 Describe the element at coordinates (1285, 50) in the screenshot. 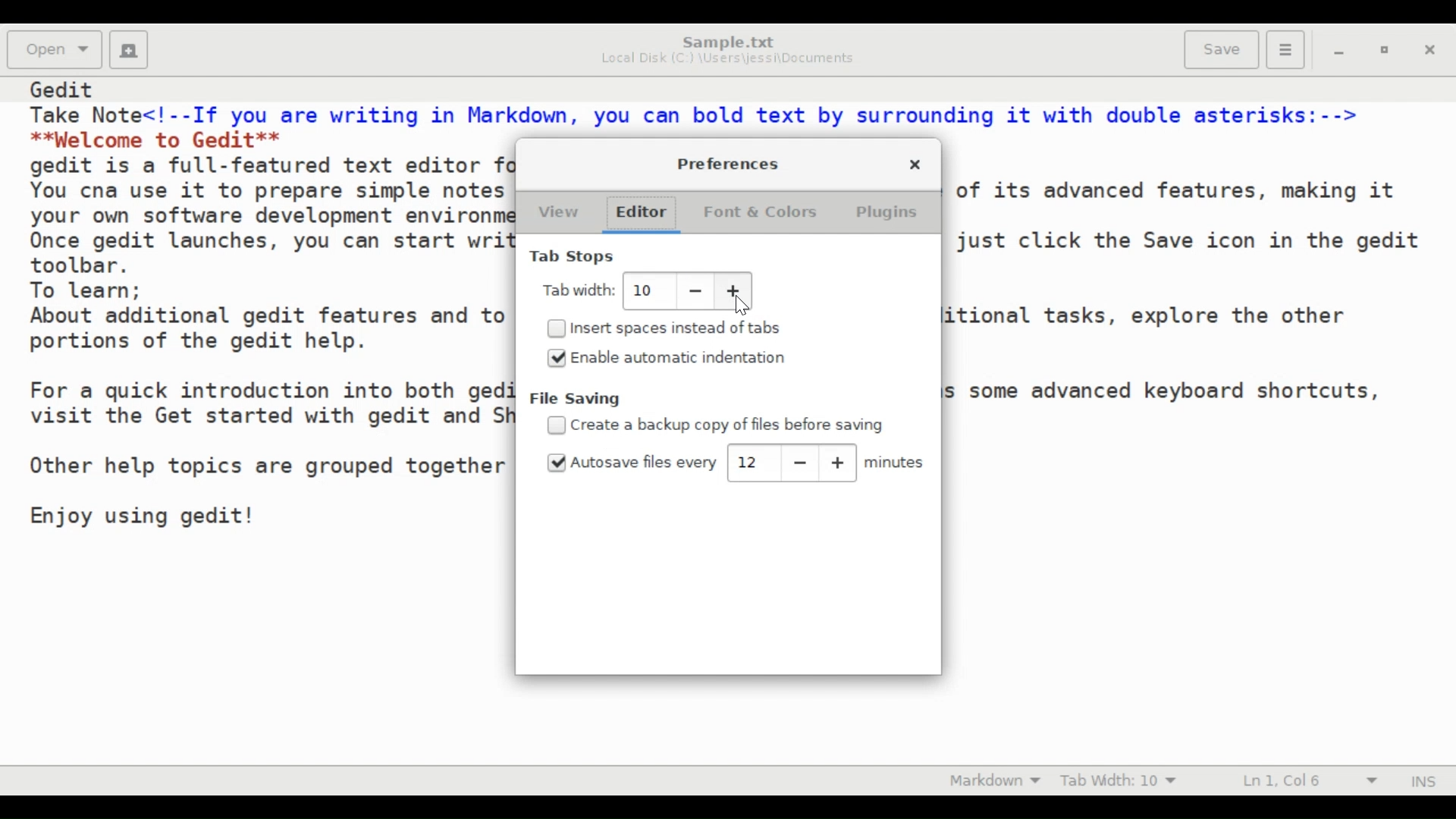

I see `Application menu` at that location.